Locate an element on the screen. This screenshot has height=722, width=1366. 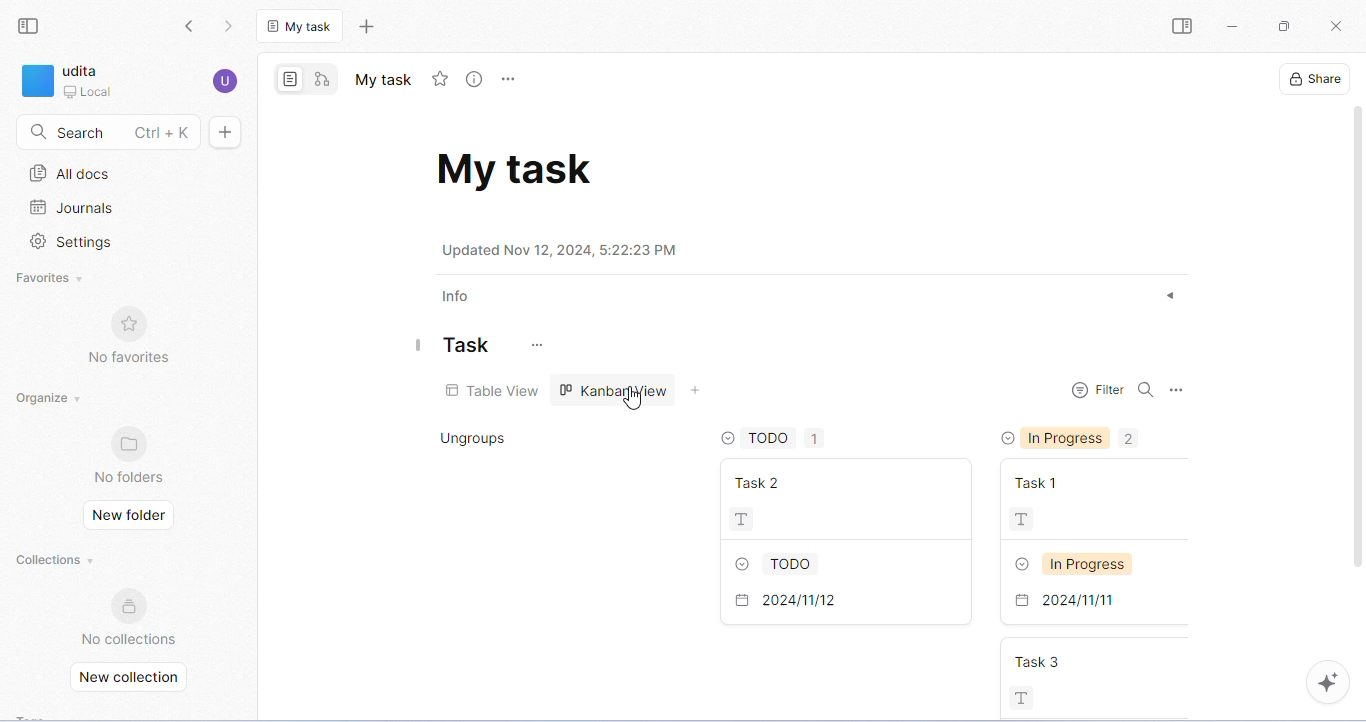
T is located at coordinates (1070, 701).